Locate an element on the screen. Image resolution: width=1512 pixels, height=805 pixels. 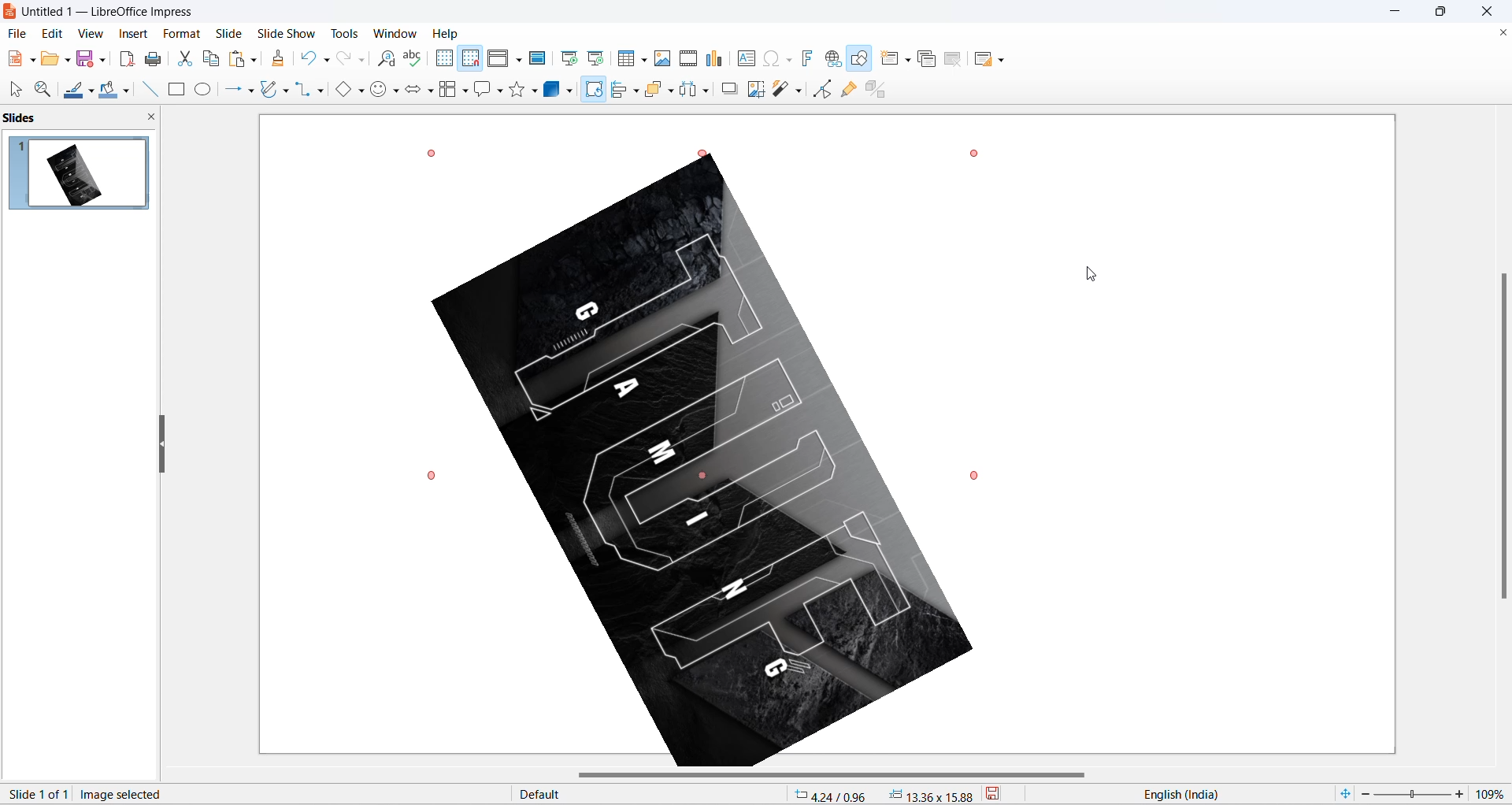
horizontal scroll bar is located at coordinates (836, 776).